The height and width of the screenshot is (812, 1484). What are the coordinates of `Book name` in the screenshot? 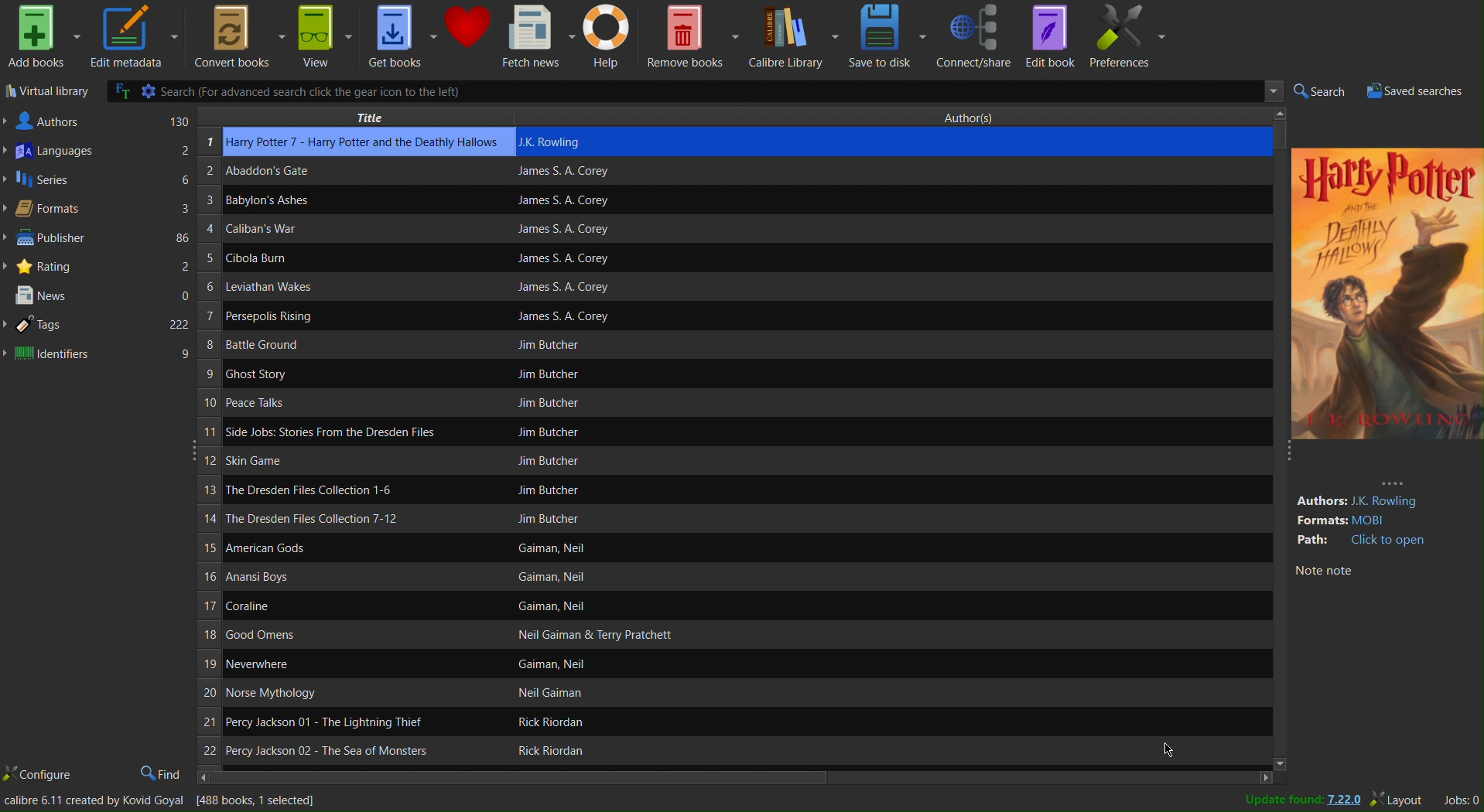 It's located at (296, 694).